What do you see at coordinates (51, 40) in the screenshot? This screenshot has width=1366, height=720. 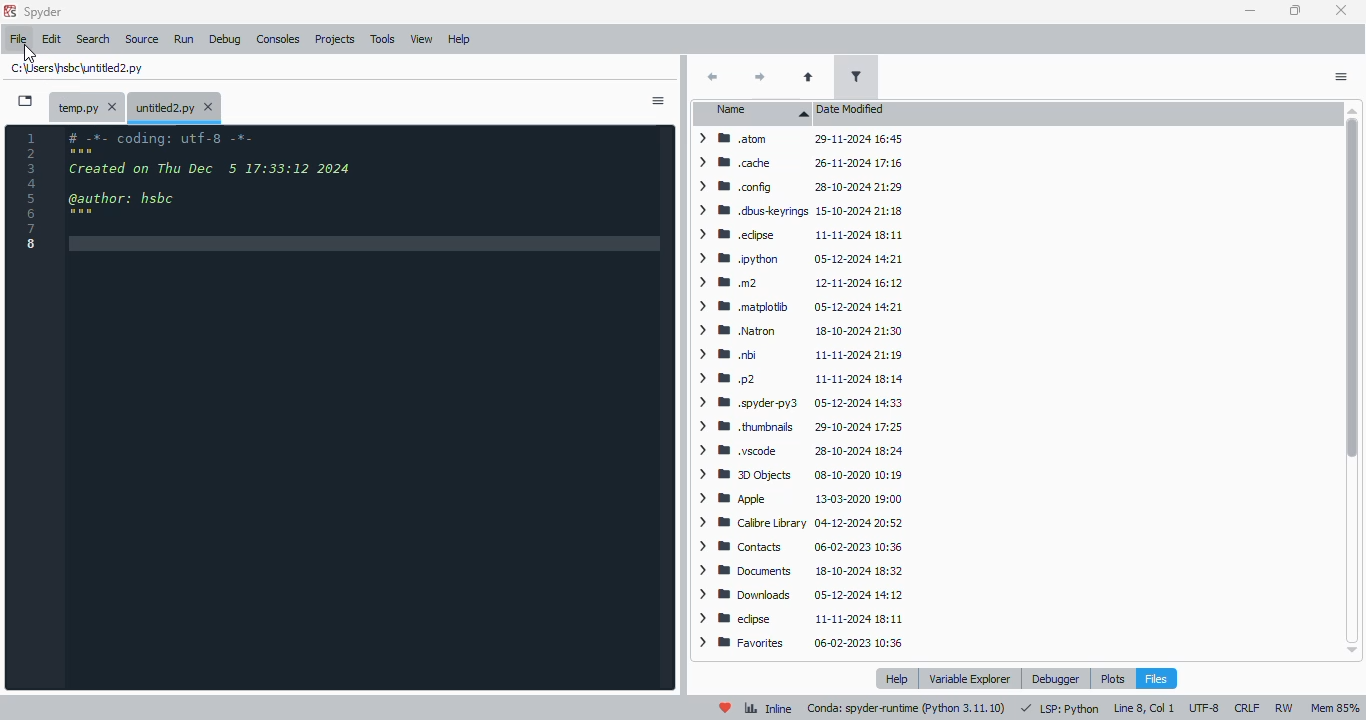 I see `edit` at bounding box center [51, 40].